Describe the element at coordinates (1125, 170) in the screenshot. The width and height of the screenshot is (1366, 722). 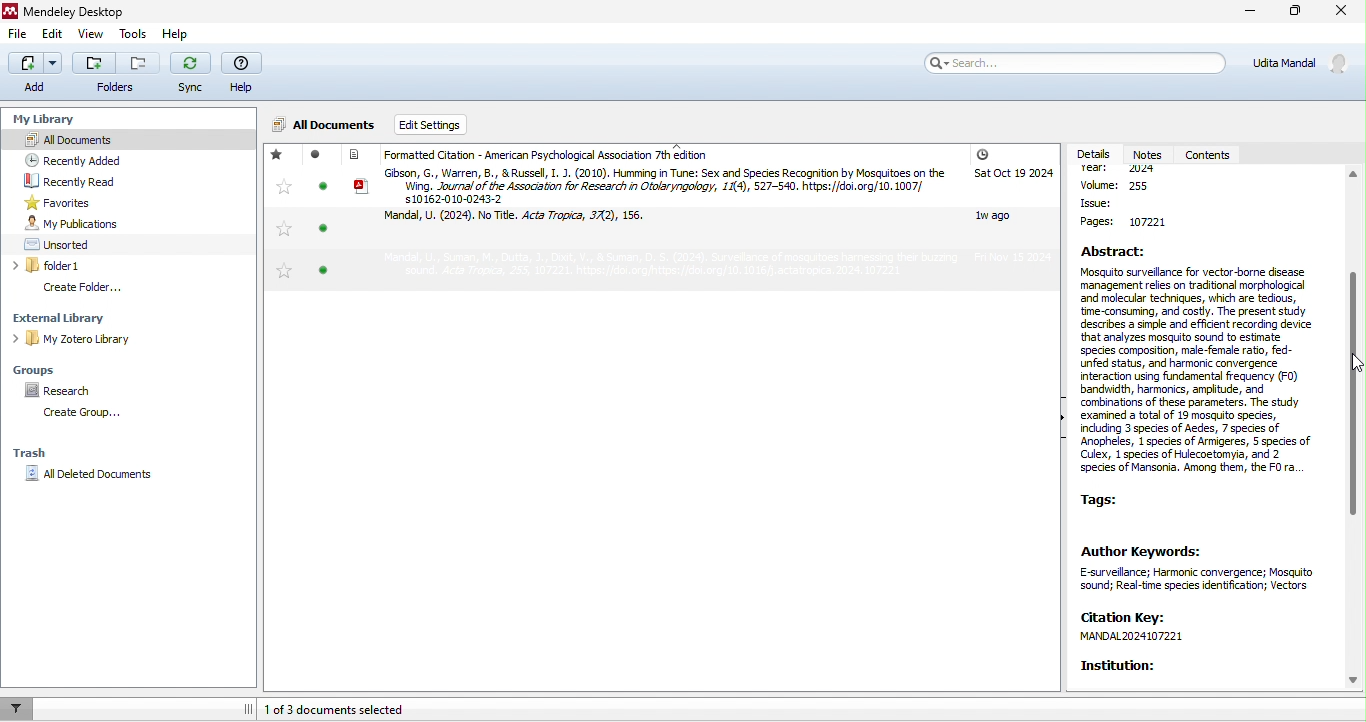
I see `year` at that location.